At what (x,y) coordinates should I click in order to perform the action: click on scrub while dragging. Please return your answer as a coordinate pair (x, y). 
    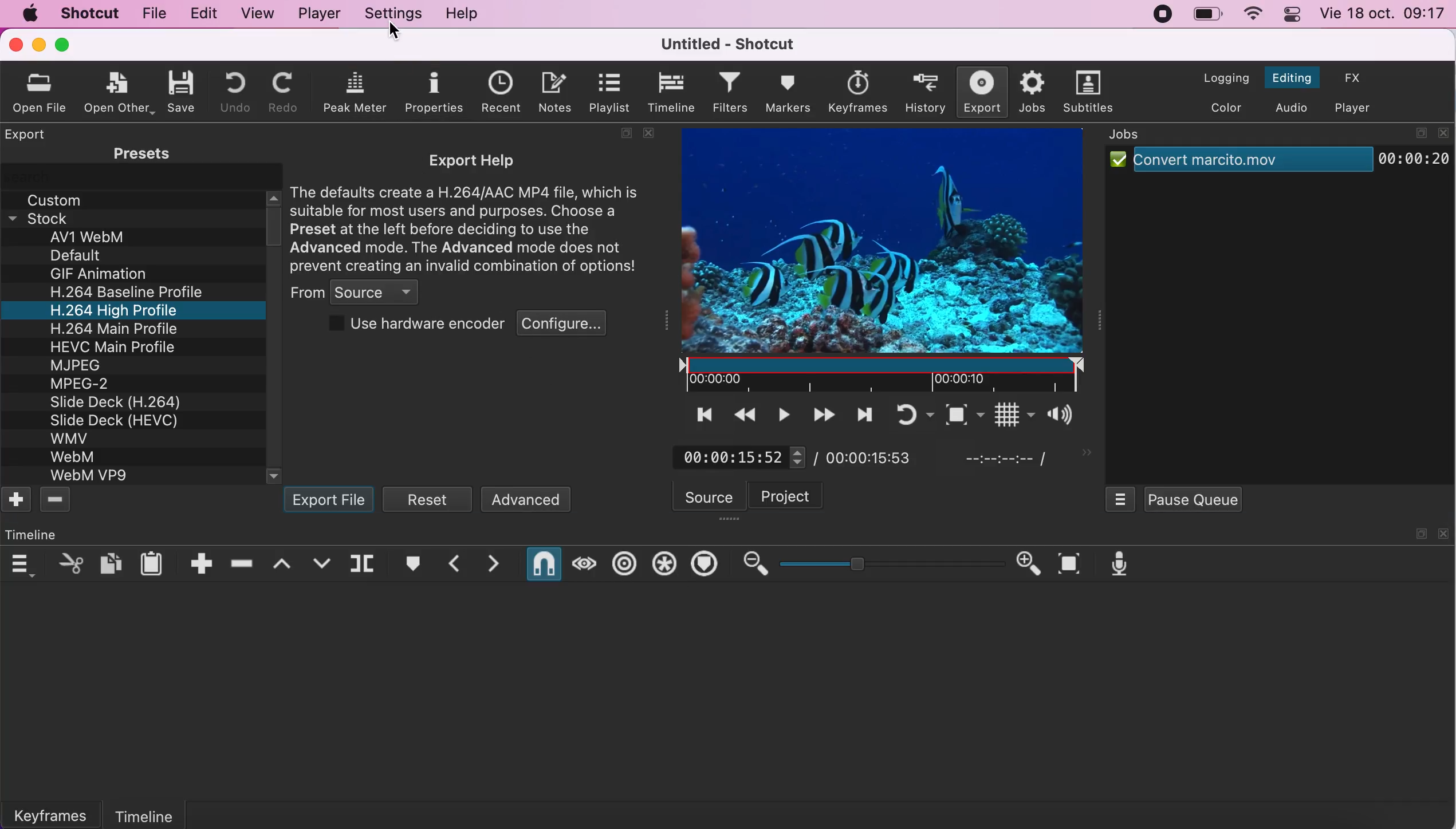
    Looking at the image, I should click on (580, 564).